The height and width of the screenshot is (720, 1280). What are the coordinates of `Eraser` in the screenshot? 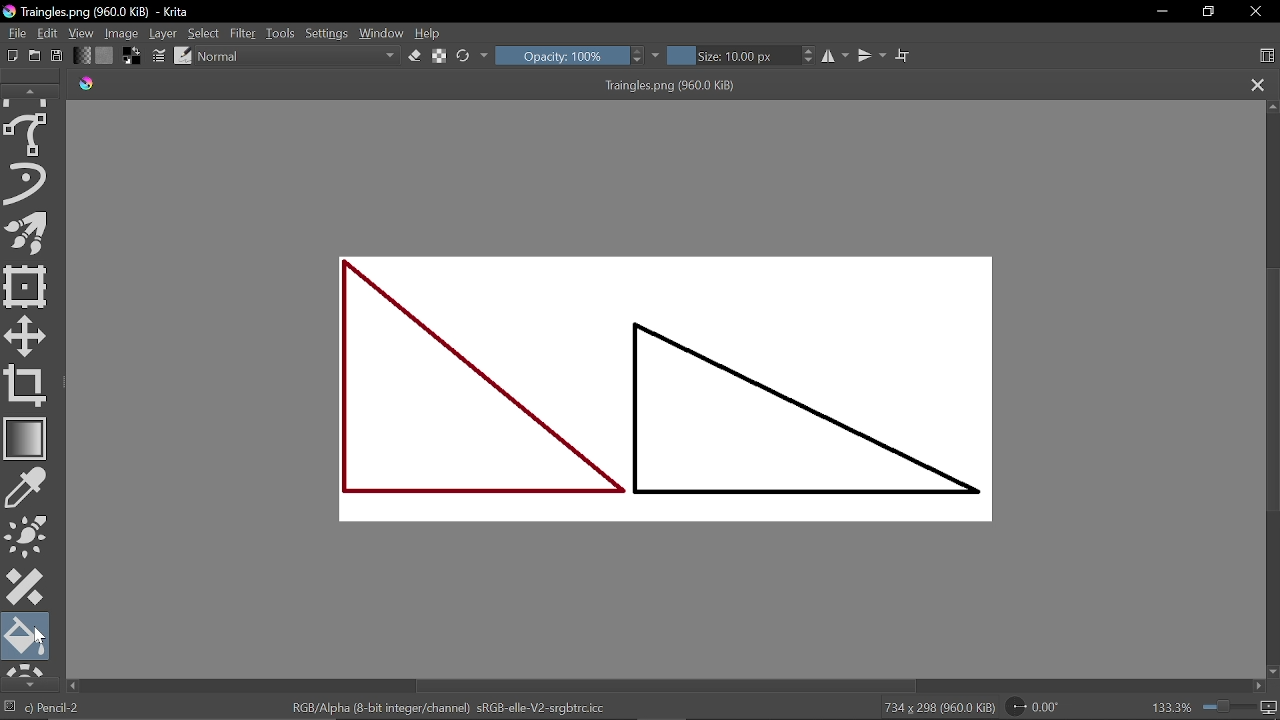 It's located at (415, 57).